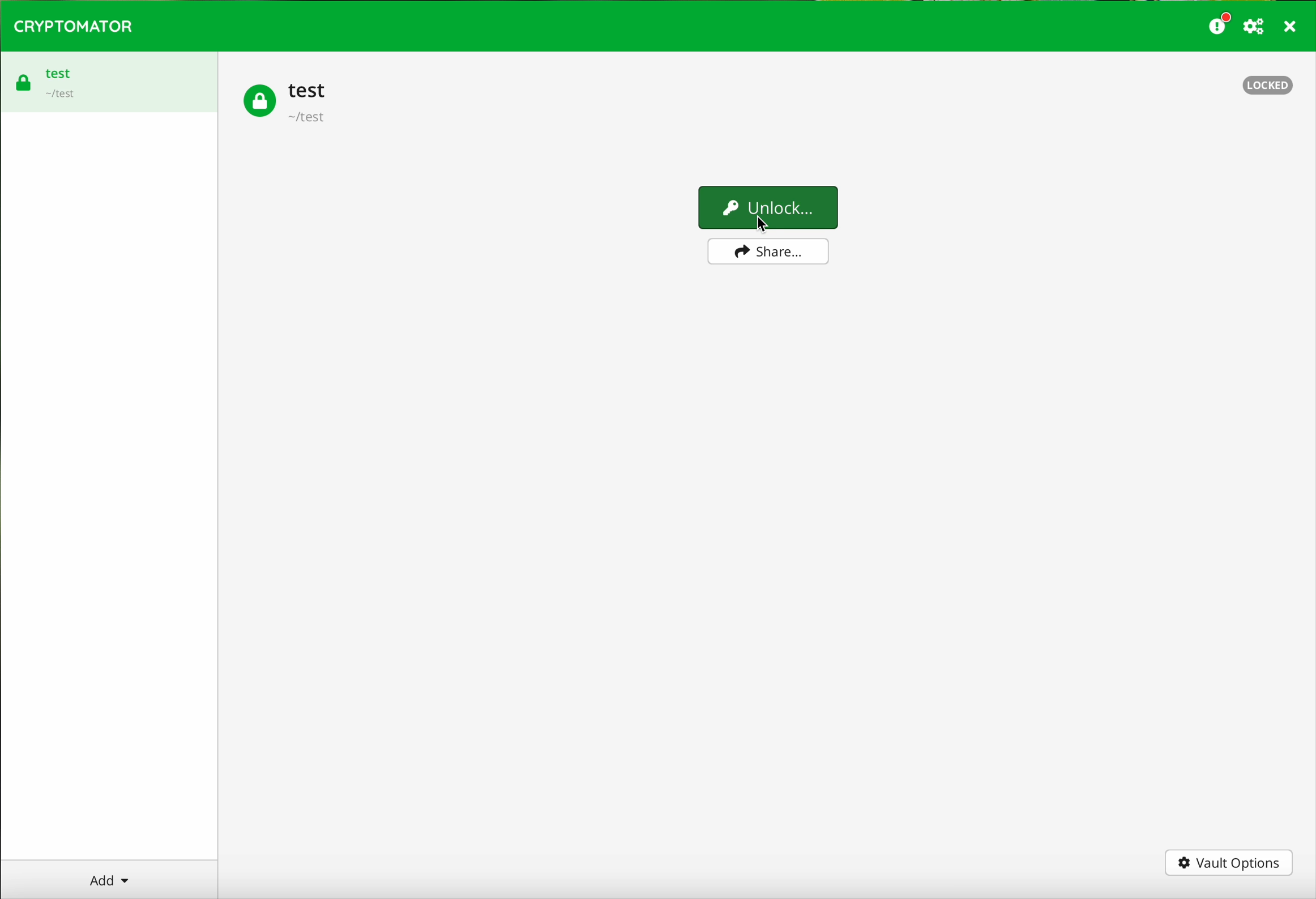  What do you see at coordinates (73, 24) in the screenshot?
I see `CRYPTOMATOR` at bounding box center [73, 24].